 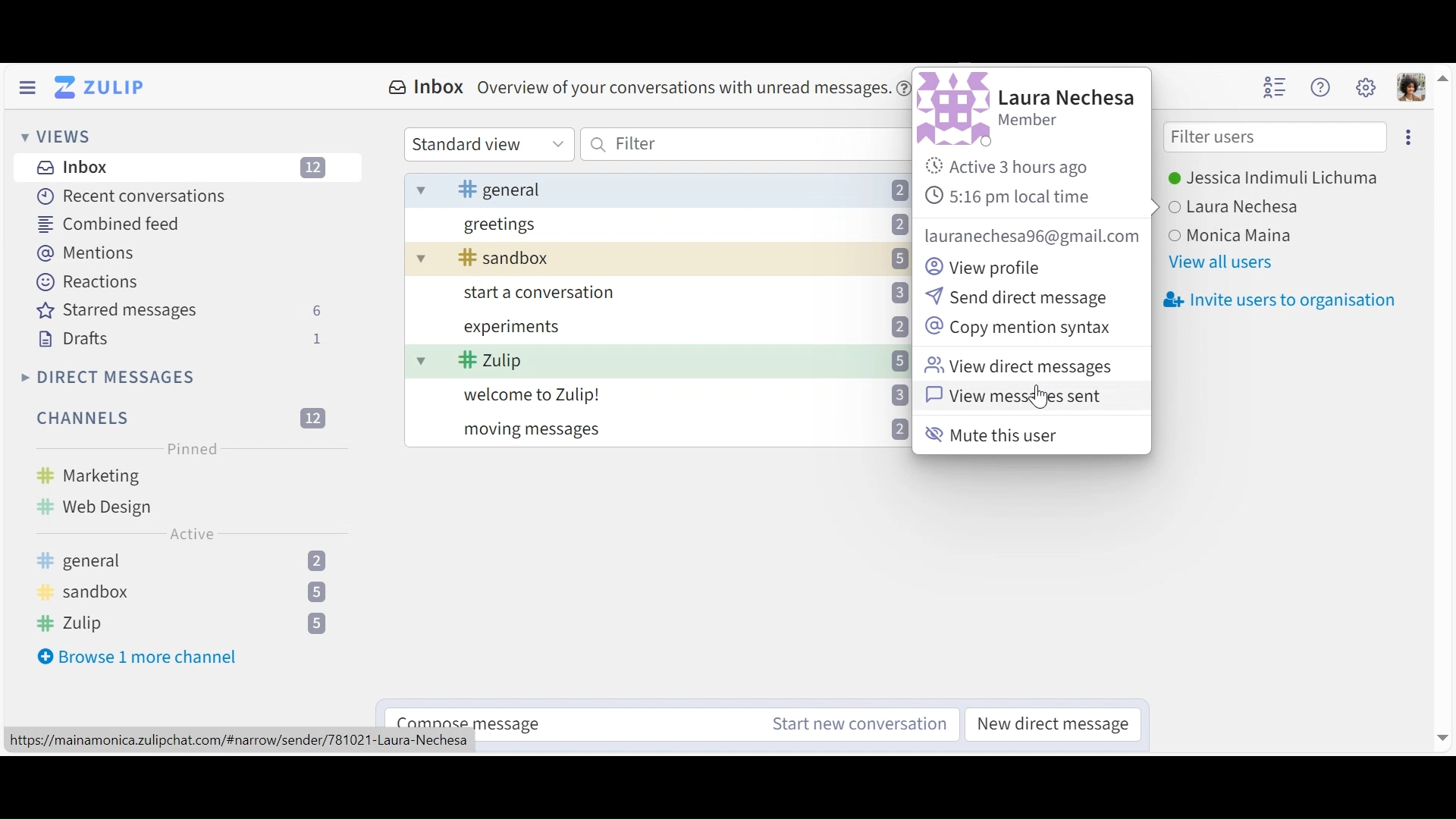 What do you see at coordinates (102, 87) in the screenshot?
I see `Go to Home View (Inbox)` at bounding box center [102, 87].